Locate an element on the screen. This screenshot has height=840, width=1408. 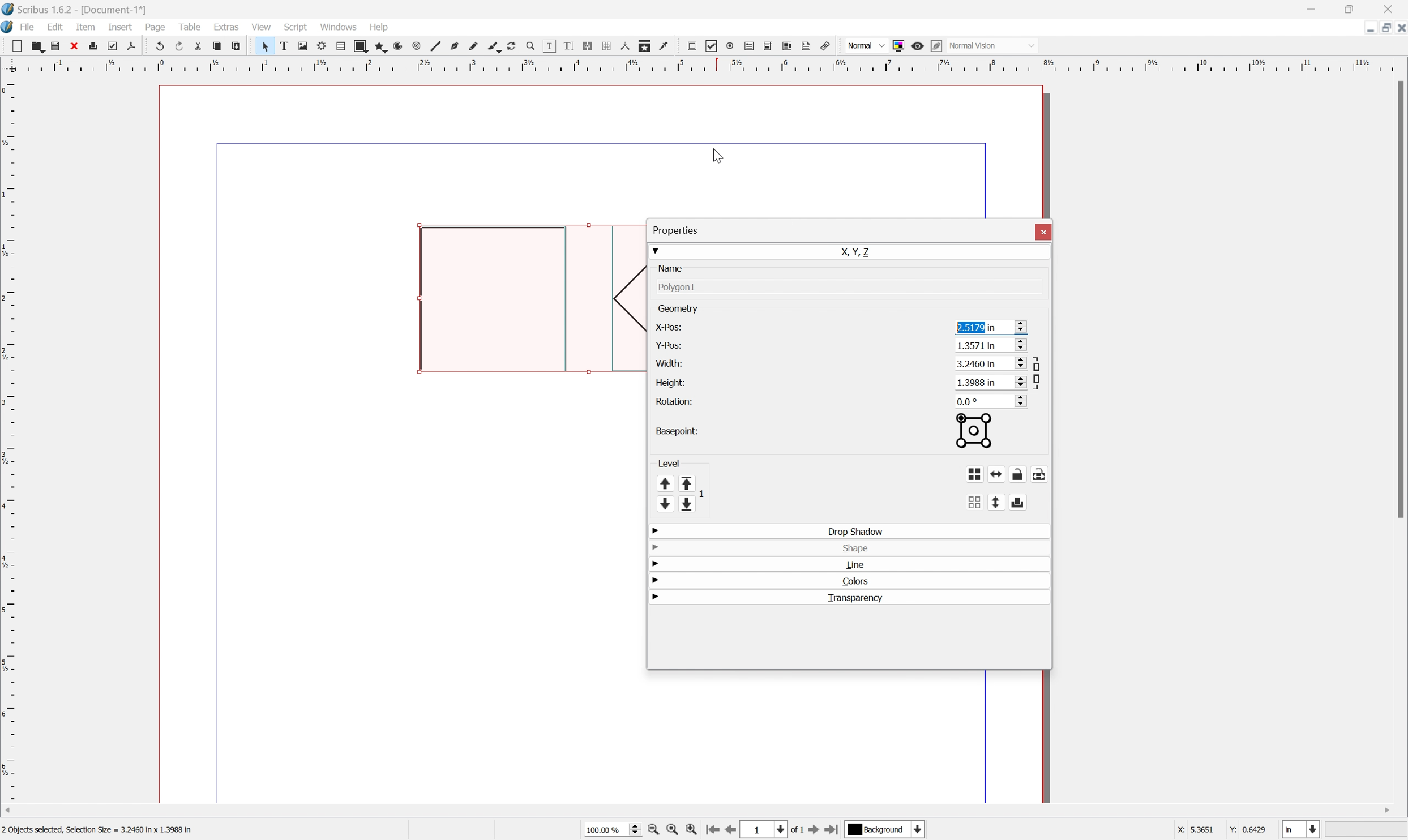
copy is located at coordinates (216, 45).